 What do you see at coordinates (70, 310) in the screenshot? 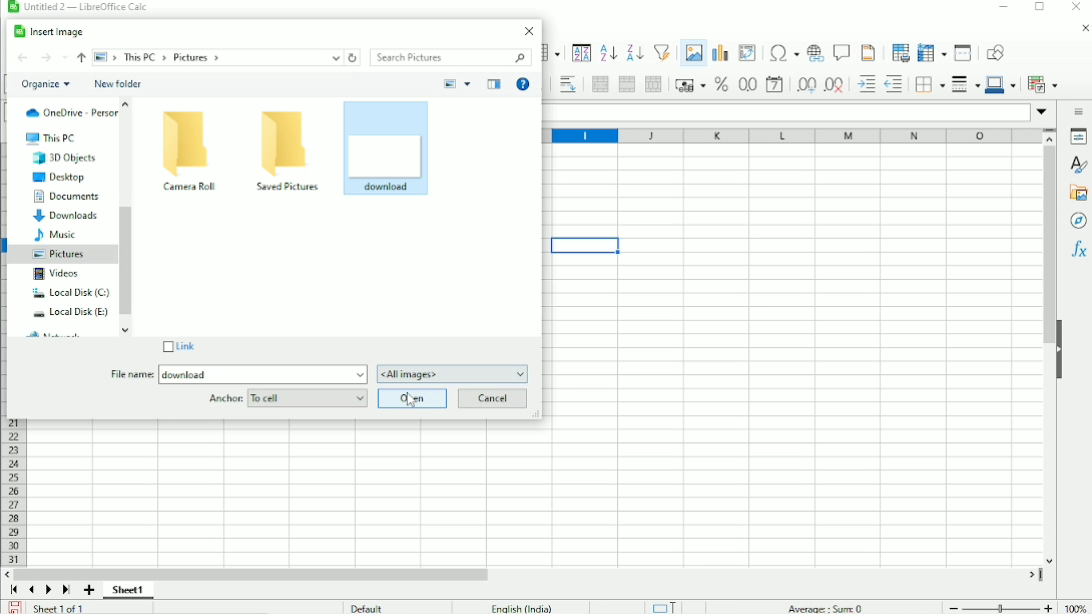
I see `Local Disk (E:)` at bounding box center [70, 310].